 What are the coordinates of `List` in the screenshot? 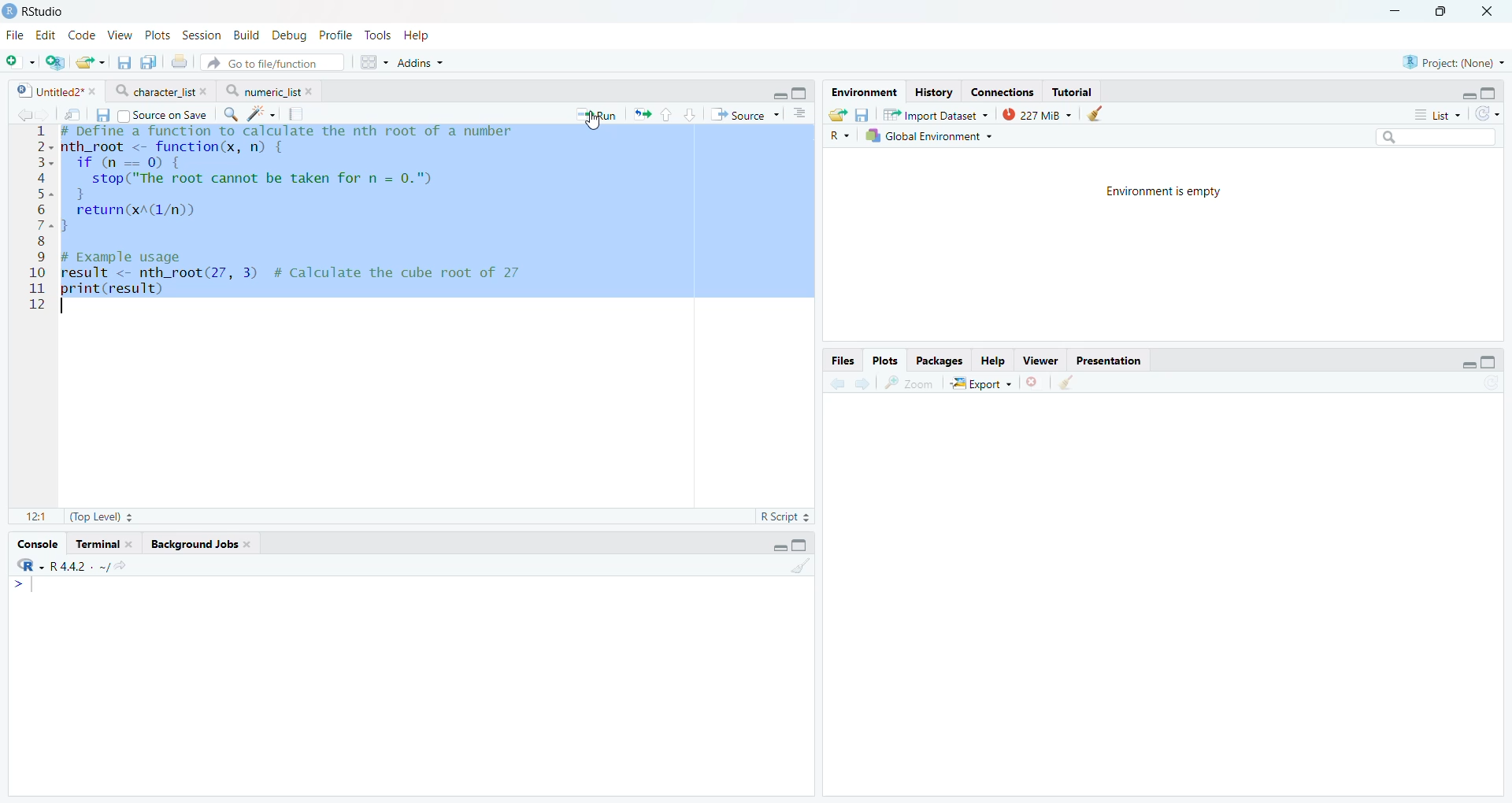 It's located at (1437, 113).